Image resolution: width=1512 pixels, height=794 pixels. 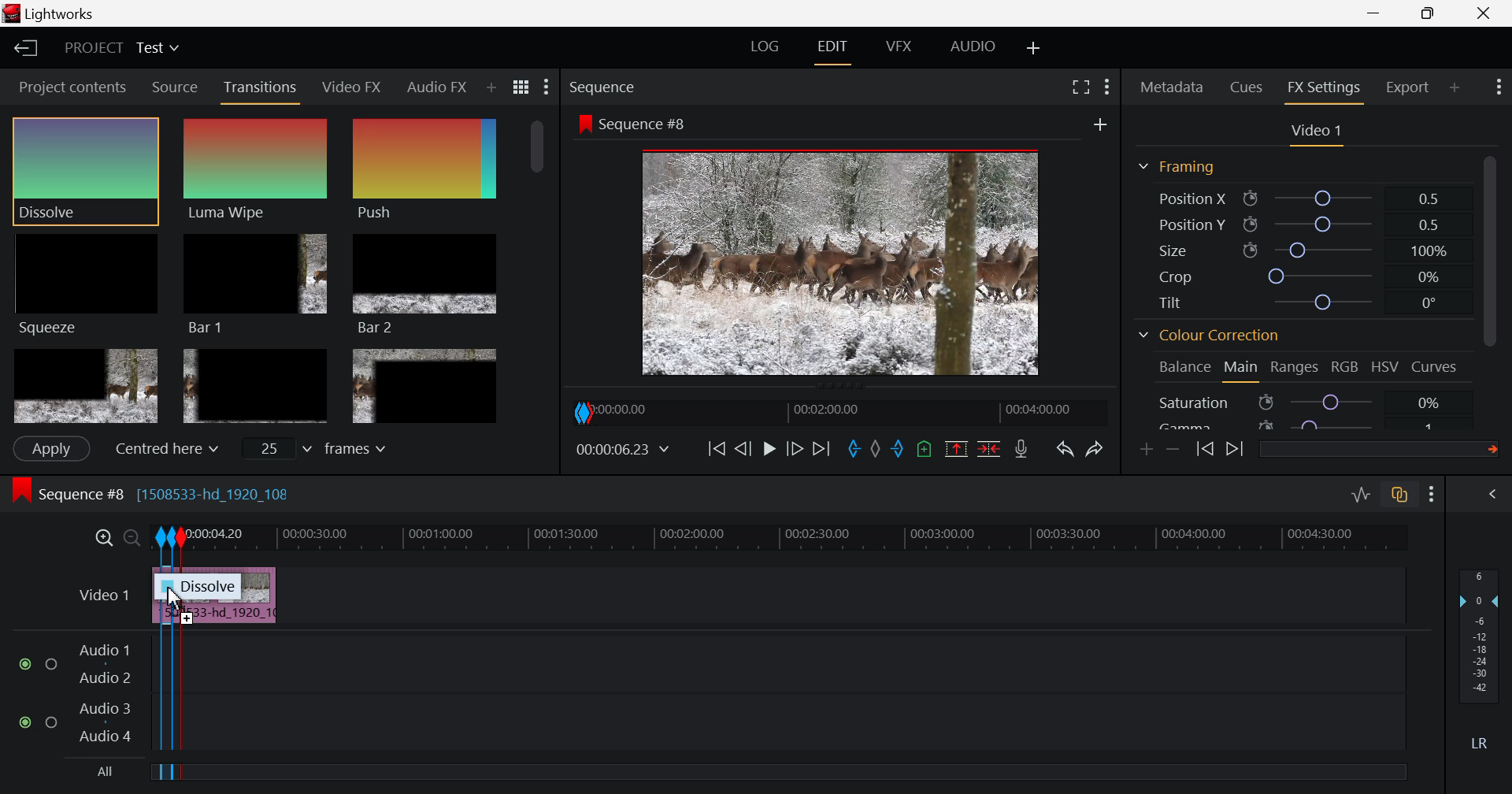 What do you see at coordinates (1177, 168) in the screenshot?
I see `Framing Section` at bounding box center [1177, 168].